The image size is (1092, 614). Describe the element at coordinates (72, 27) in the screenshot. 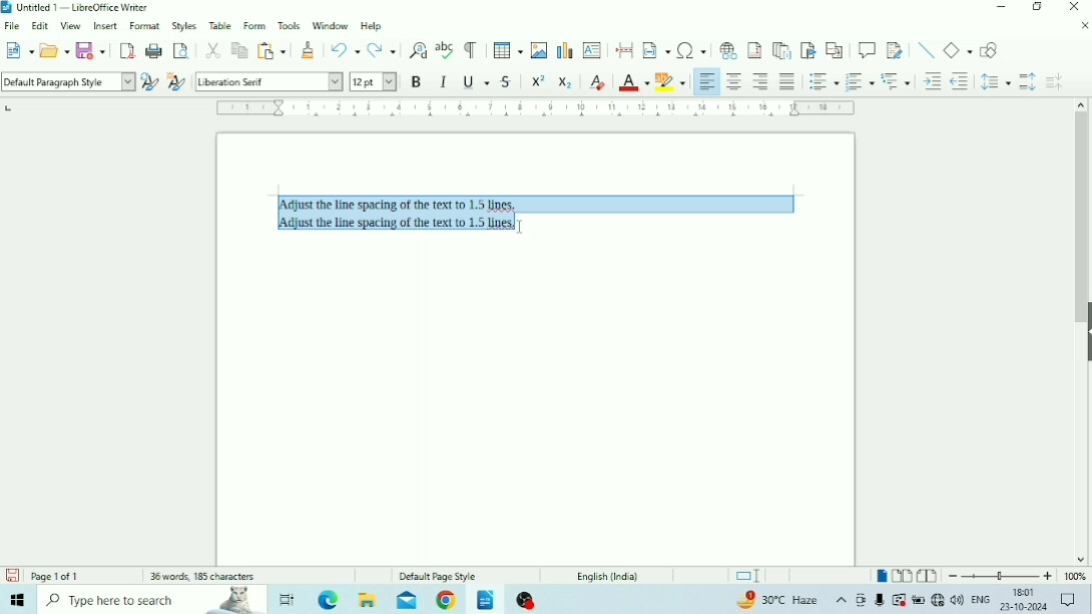

I see `View` at that location.